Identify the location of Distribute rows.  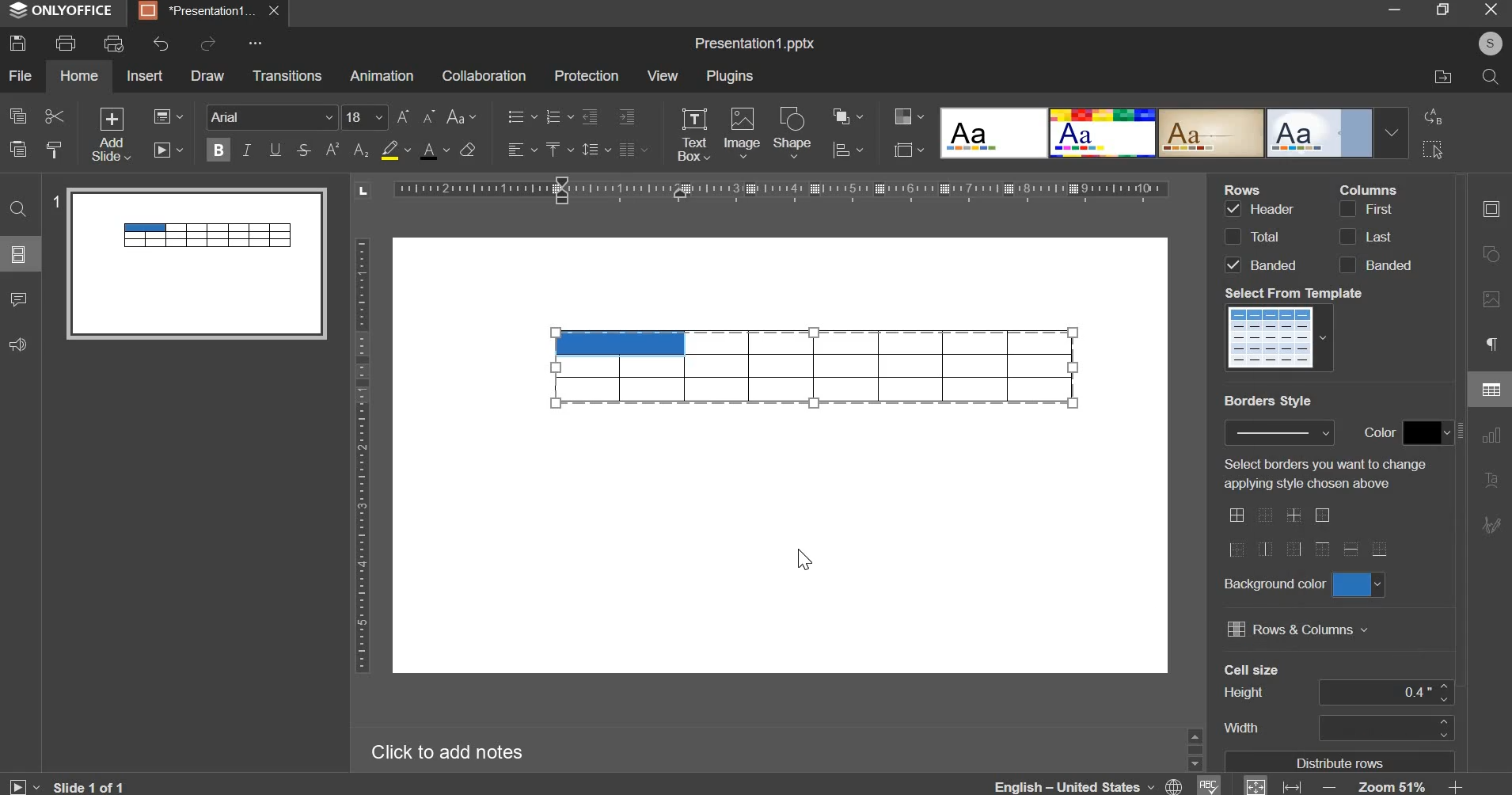
(1343, 762).